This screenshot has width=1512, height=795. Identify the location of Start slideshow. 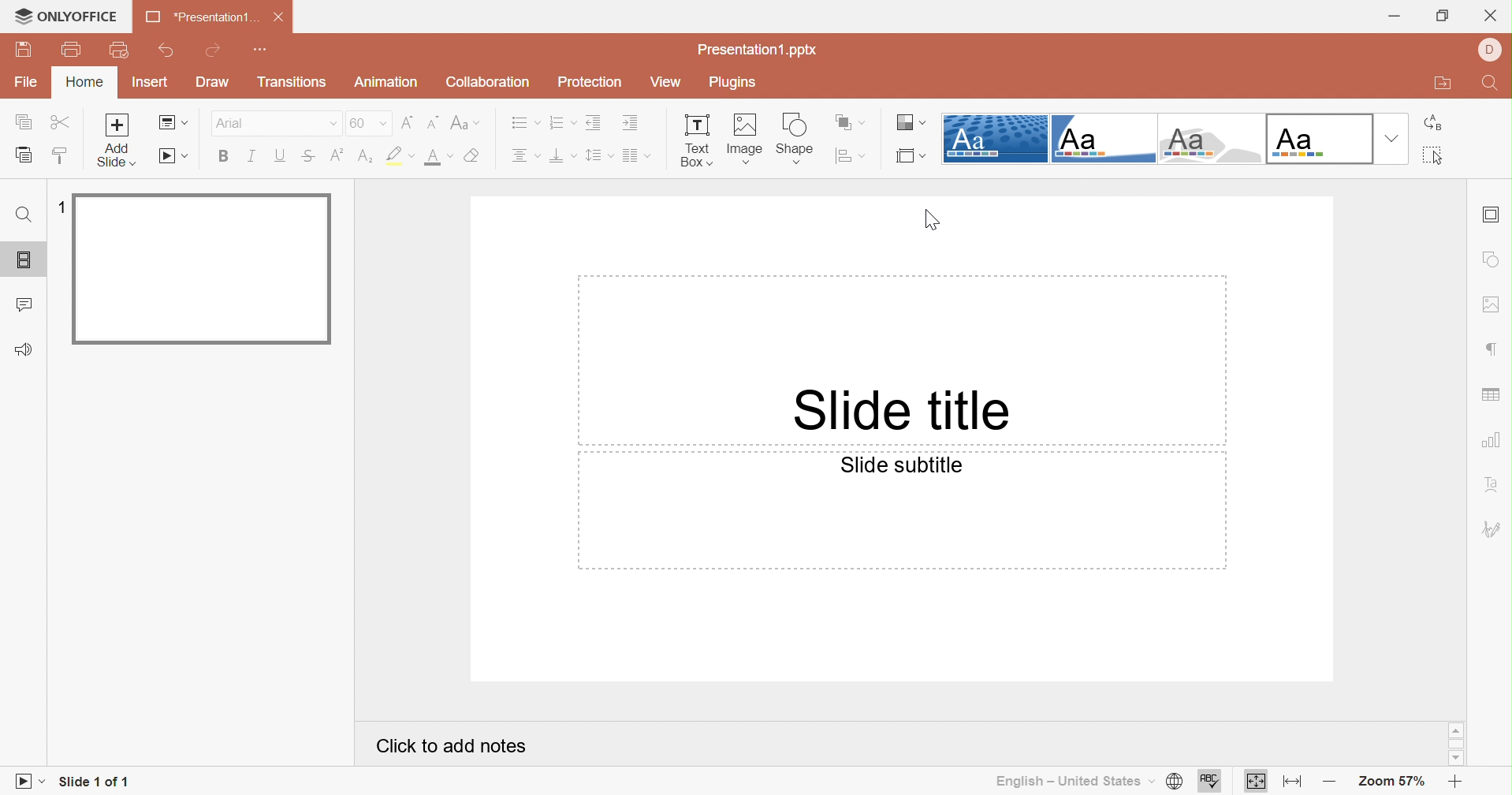
(25, 782).